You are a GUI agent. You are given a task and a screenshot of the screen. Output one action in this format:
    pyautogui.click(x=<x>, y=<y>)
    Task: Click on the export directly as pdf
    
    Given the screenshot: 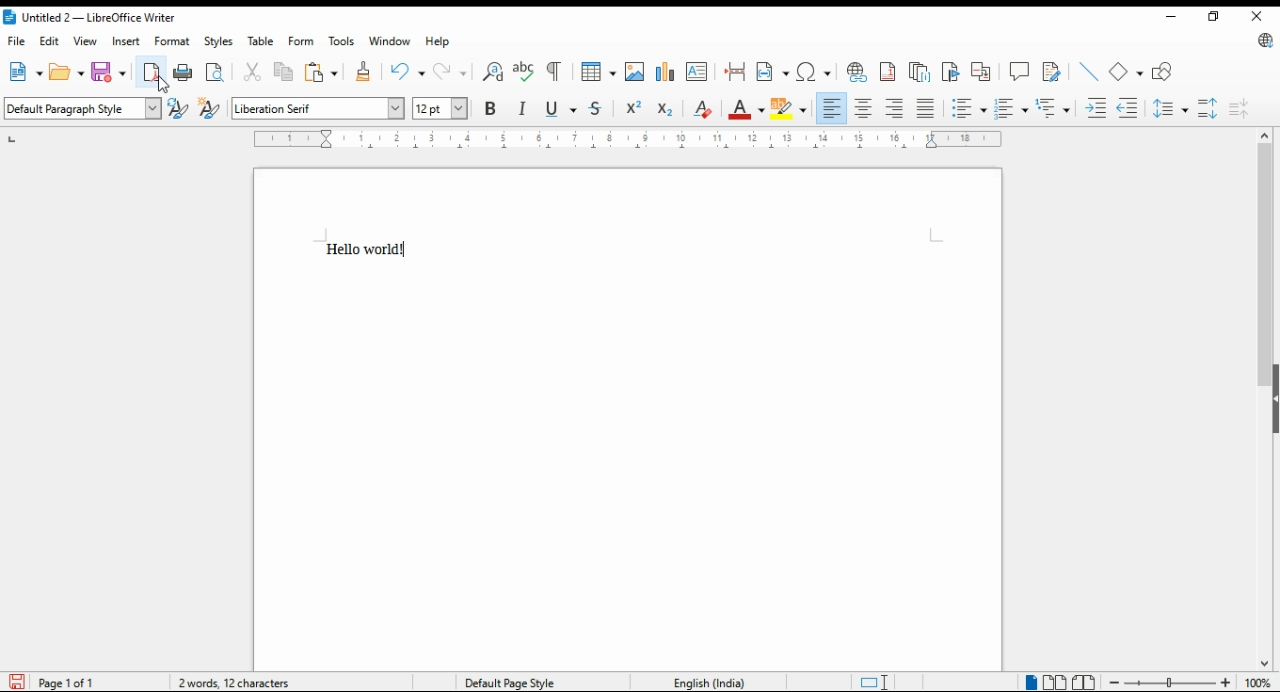 What is the action you would take?
    pyautogui.click(x=152, y=71)
    